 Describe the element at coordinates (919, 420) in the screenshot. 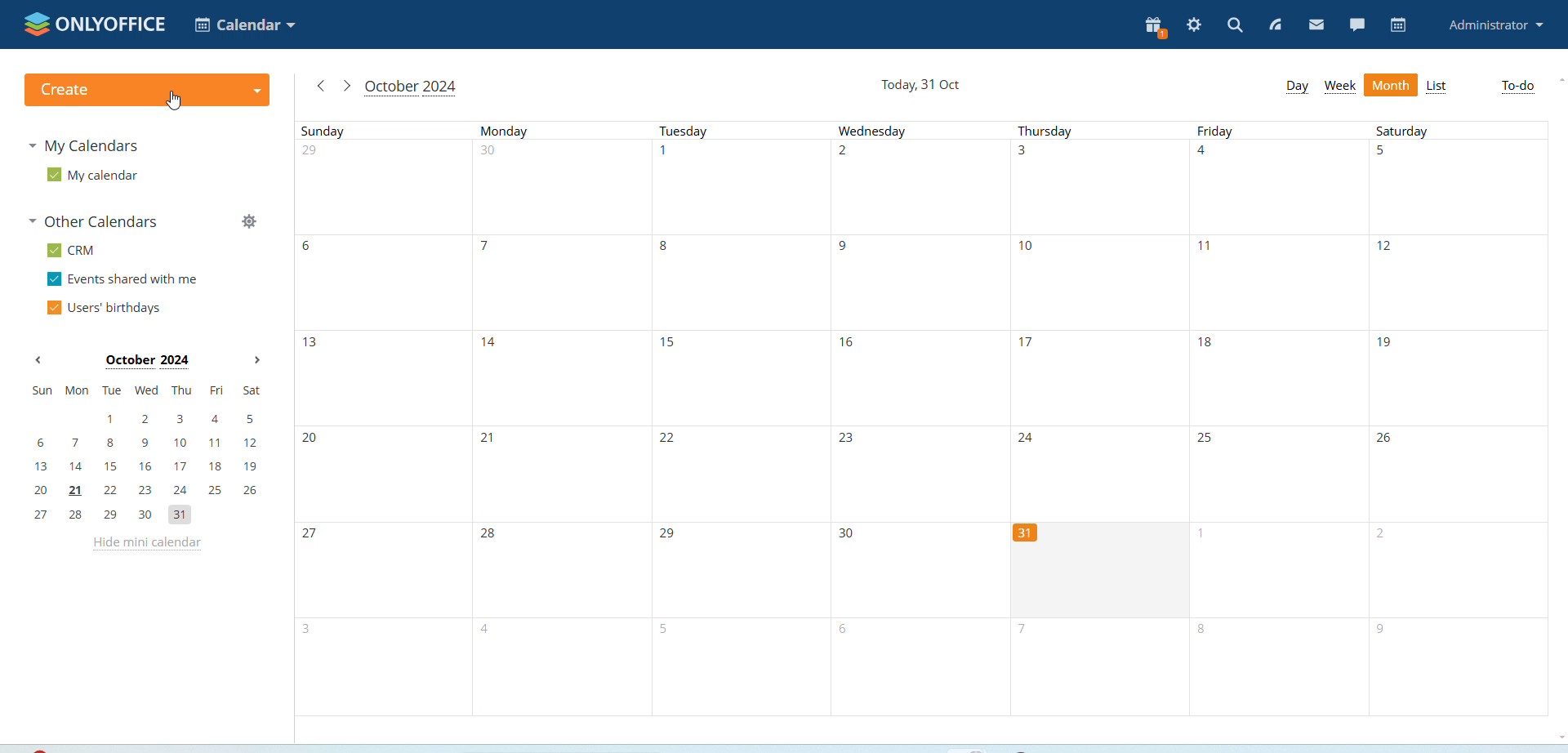

I see `Wednesdays` at that location.